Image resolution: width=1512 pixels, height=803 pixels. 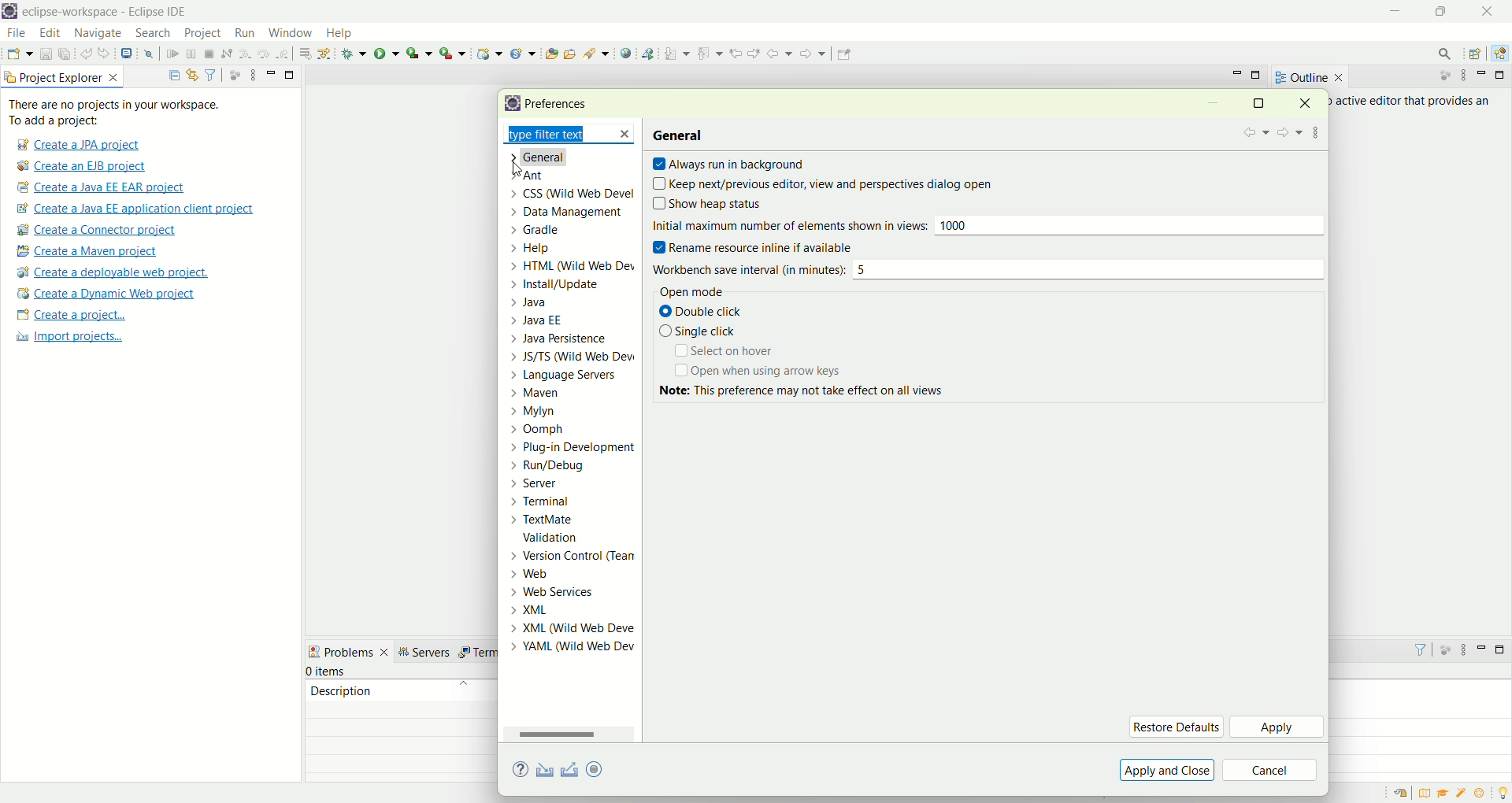 What do you see at coordinates (1503, 791) in the screenshot?
I see `tip of the day` at bounding box center [1503, 791].